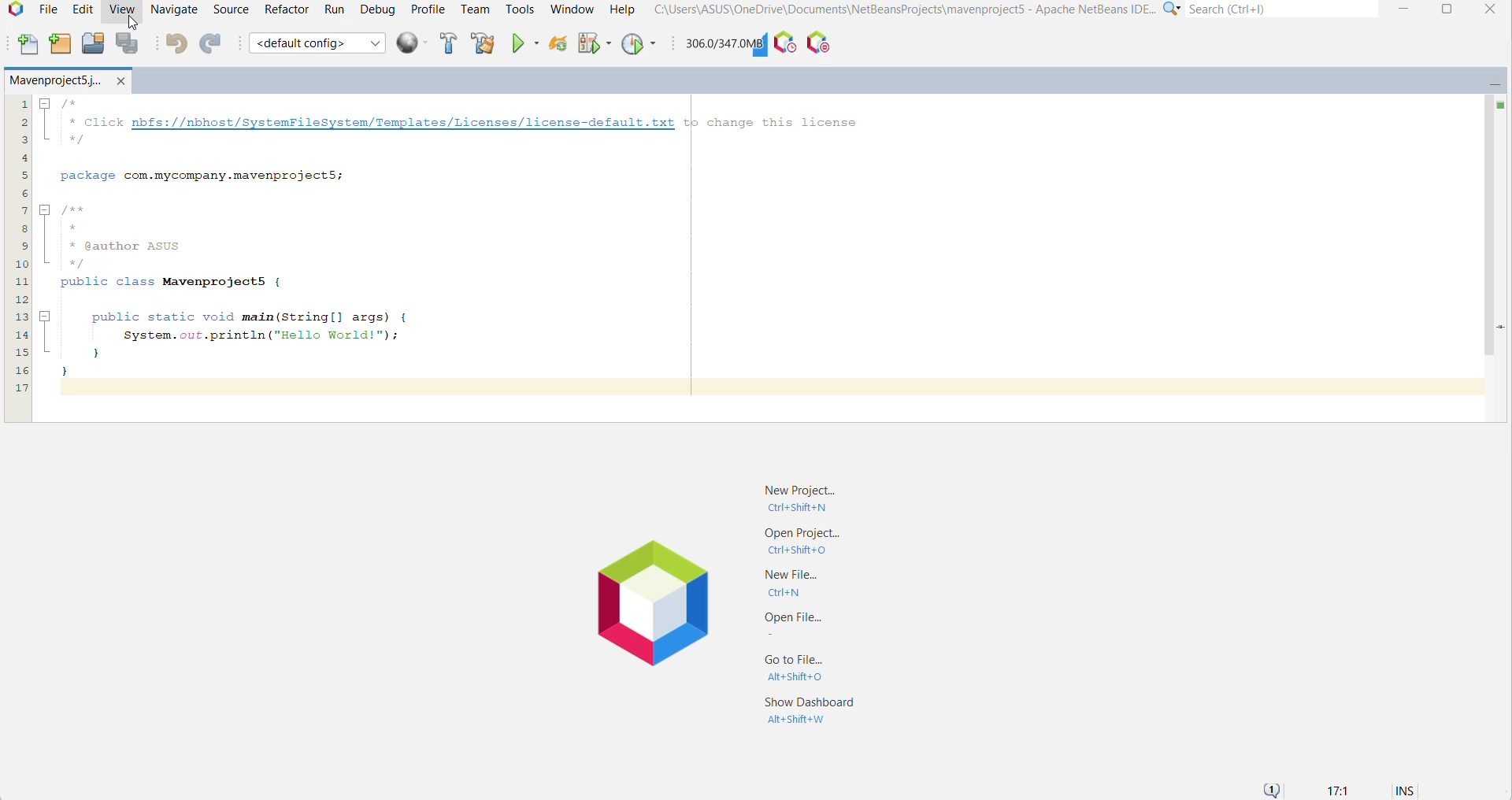 This screenshot has width=1512, height=800. I want to click on File, so click(47, 9).